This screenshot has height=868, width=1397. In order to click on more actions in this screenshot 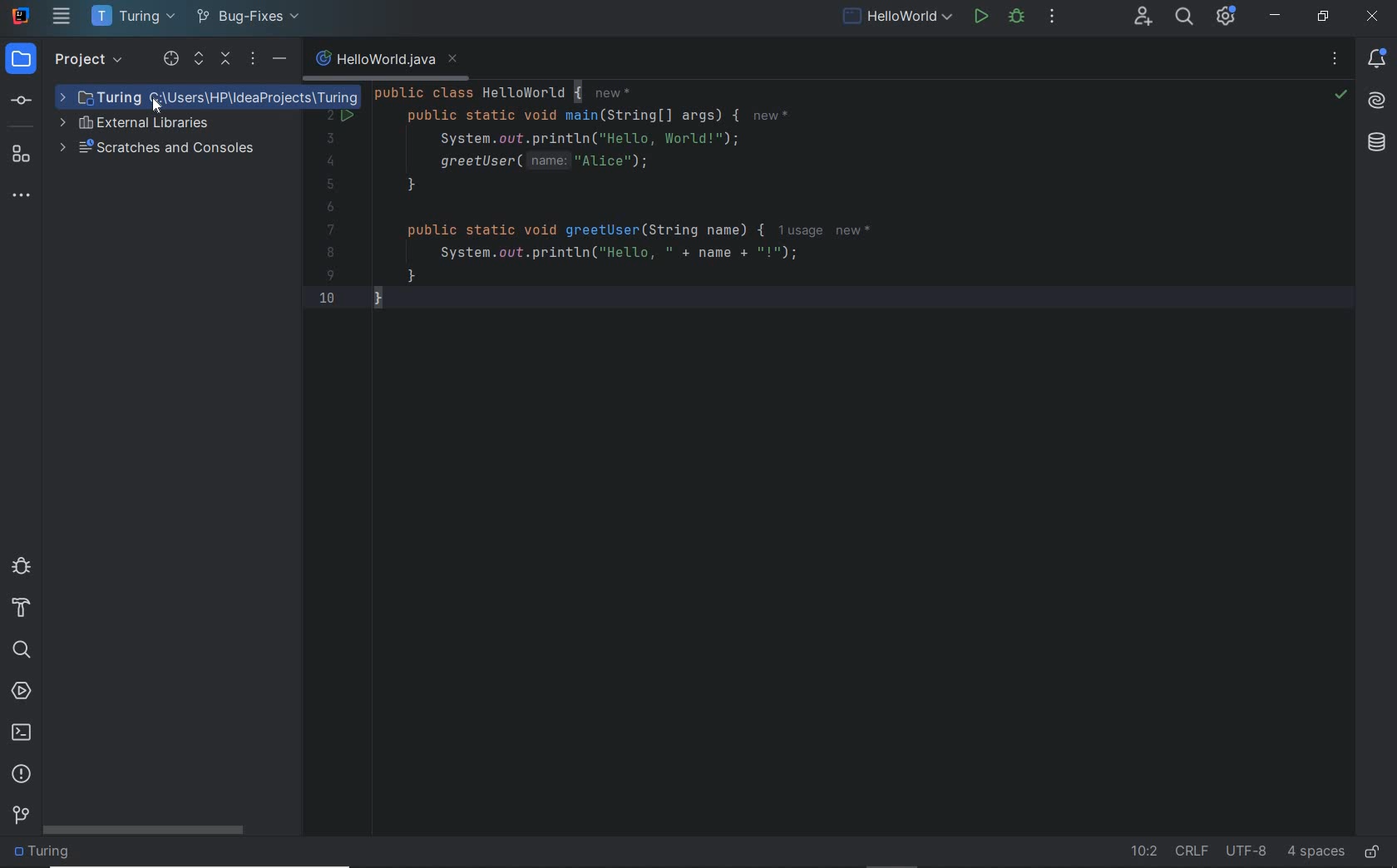, I will do `click(1053, 18)`.